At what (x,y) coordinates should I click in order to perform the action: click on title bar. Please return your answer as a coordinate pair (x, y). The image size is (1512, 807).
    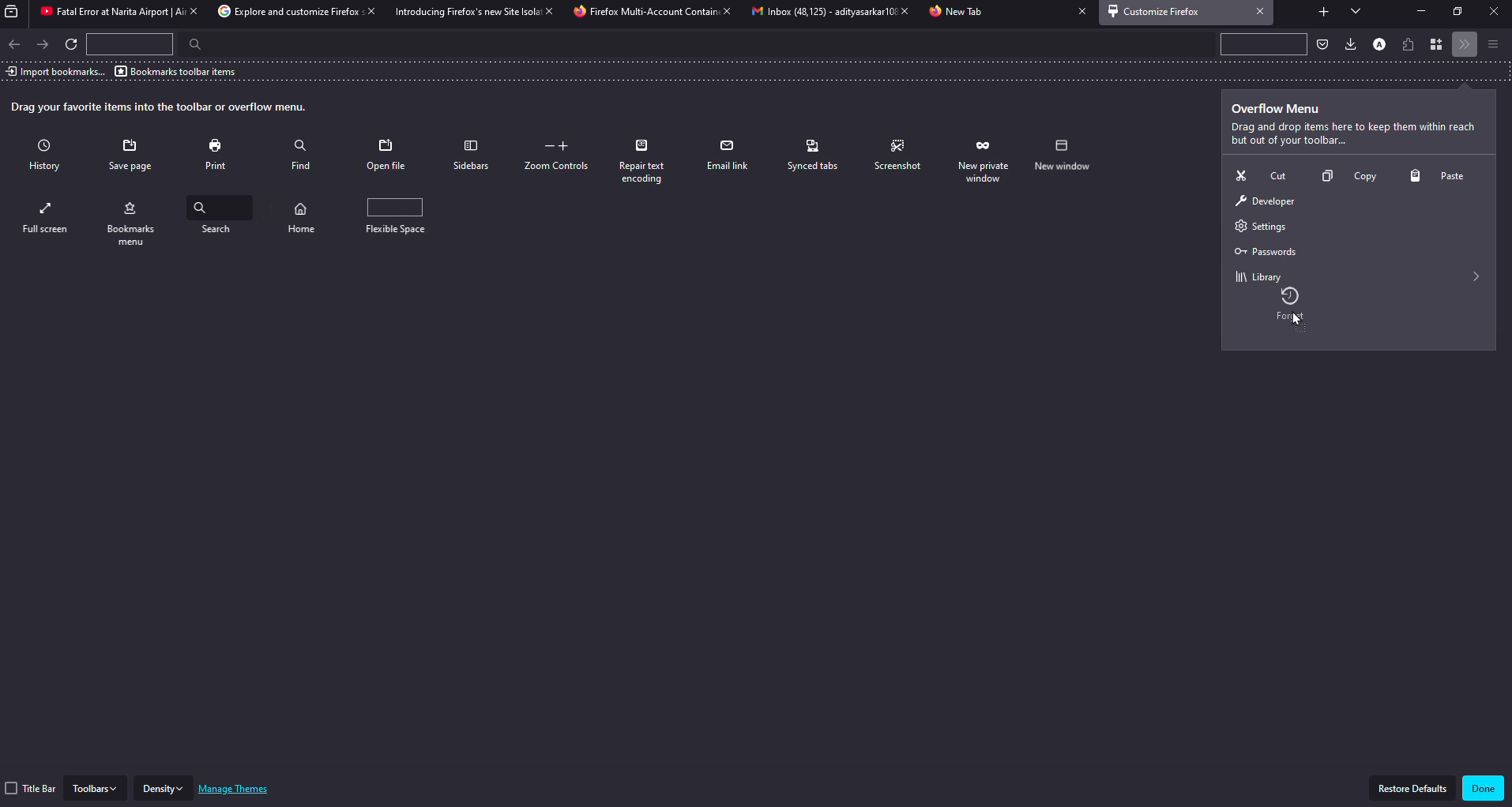
    Looking at the image, I should click on (32, 788).